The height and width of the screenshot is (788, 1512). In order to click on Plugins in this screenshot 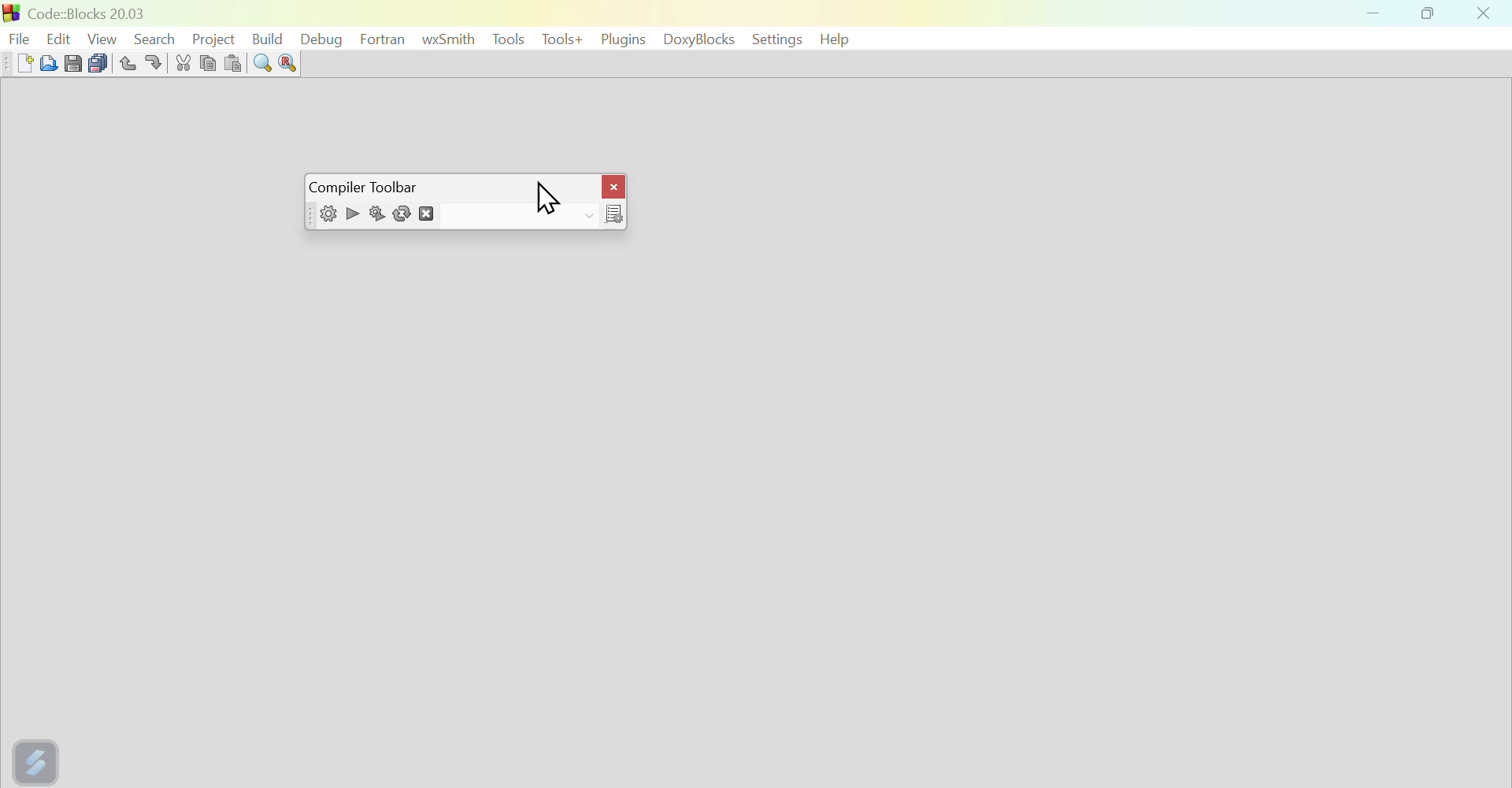, I will do `click(621, 39)`.